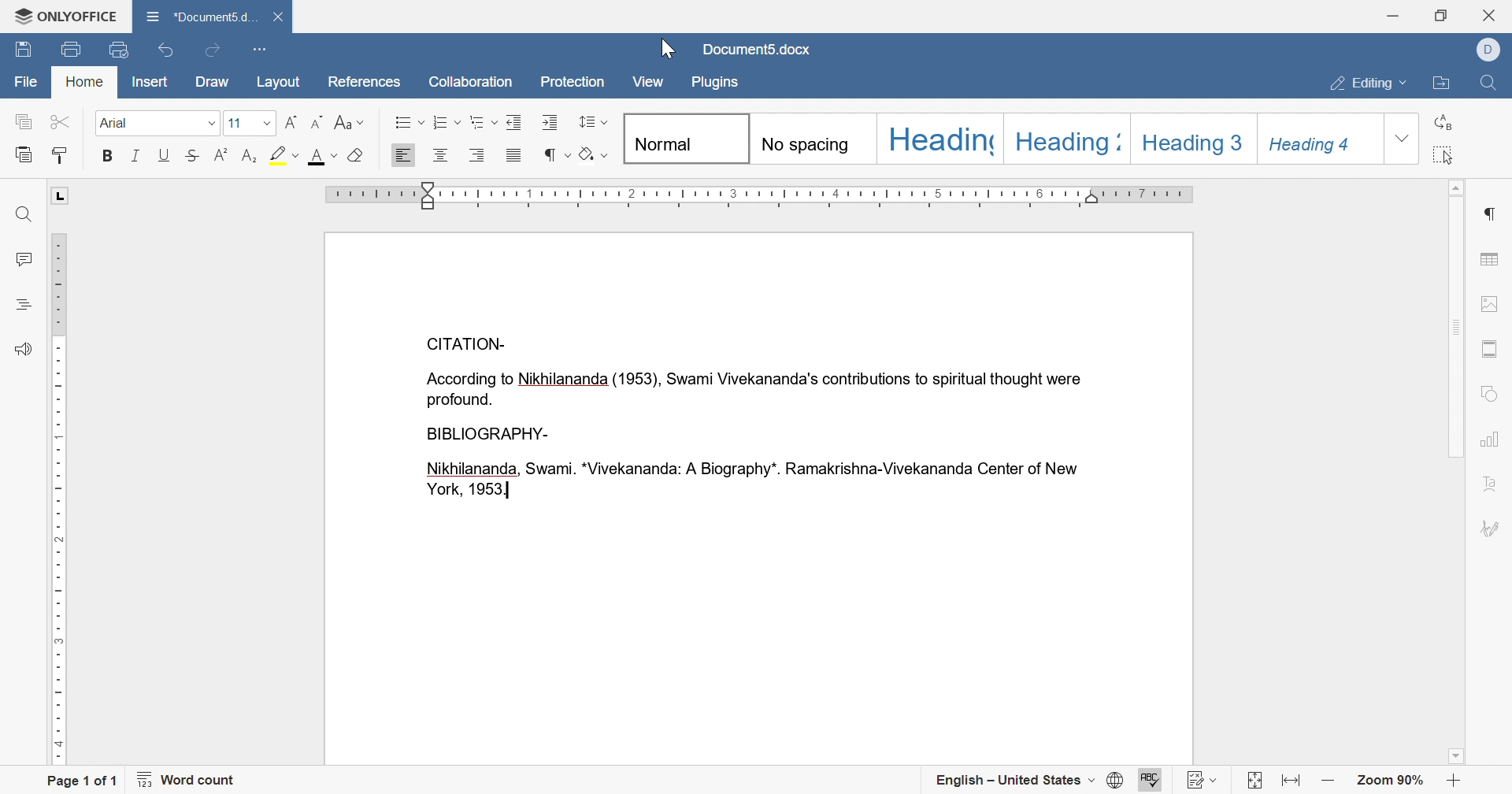 The width and height of the screenshot is (1512, 794). Describe the element at coordinates (1329, 785) in the screenshot. I see `zoom out` at that location.